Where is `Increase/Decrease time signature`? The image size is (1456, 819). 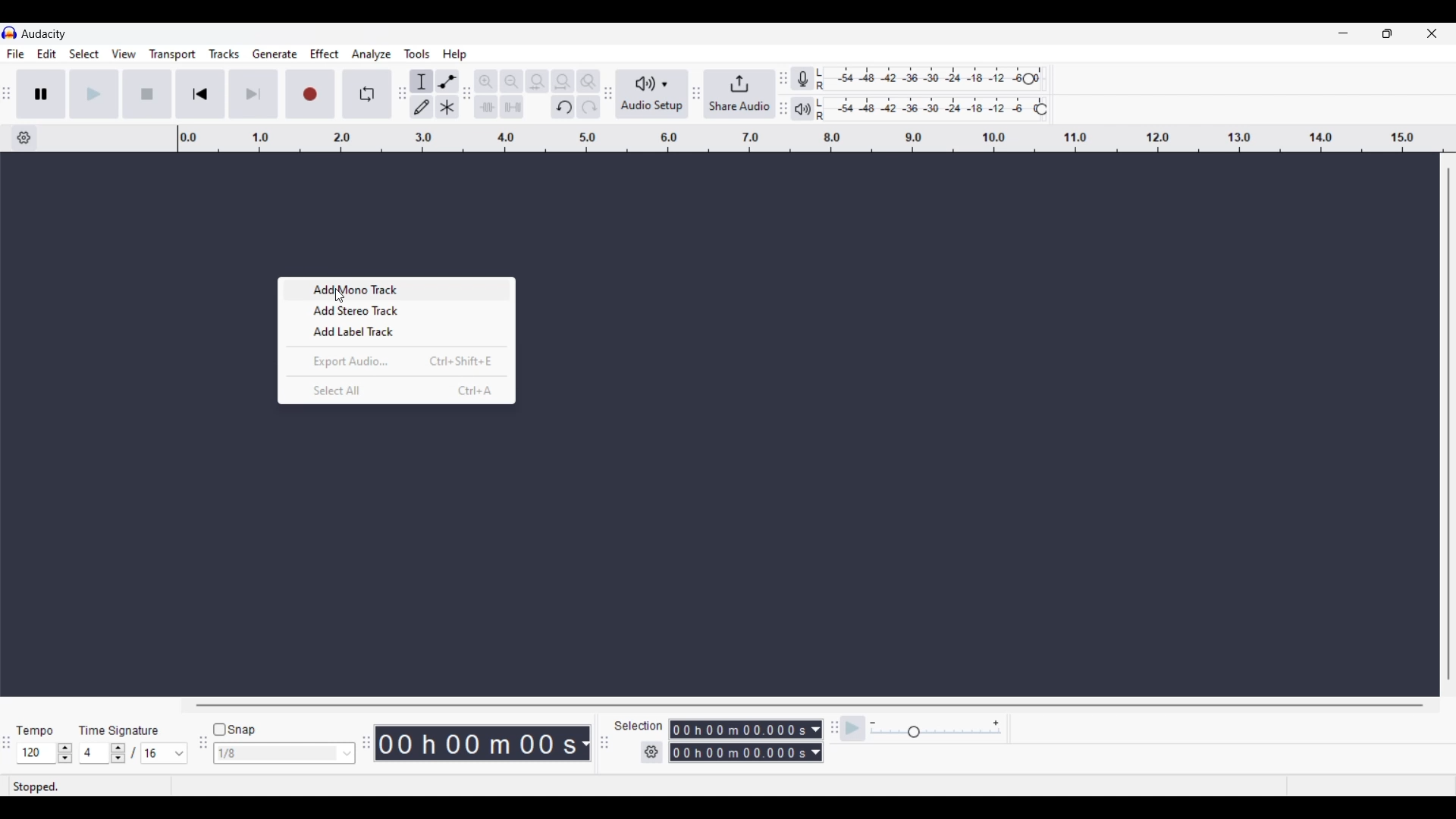 Increase/Decrease time signature is located at coordinates (118, 753).